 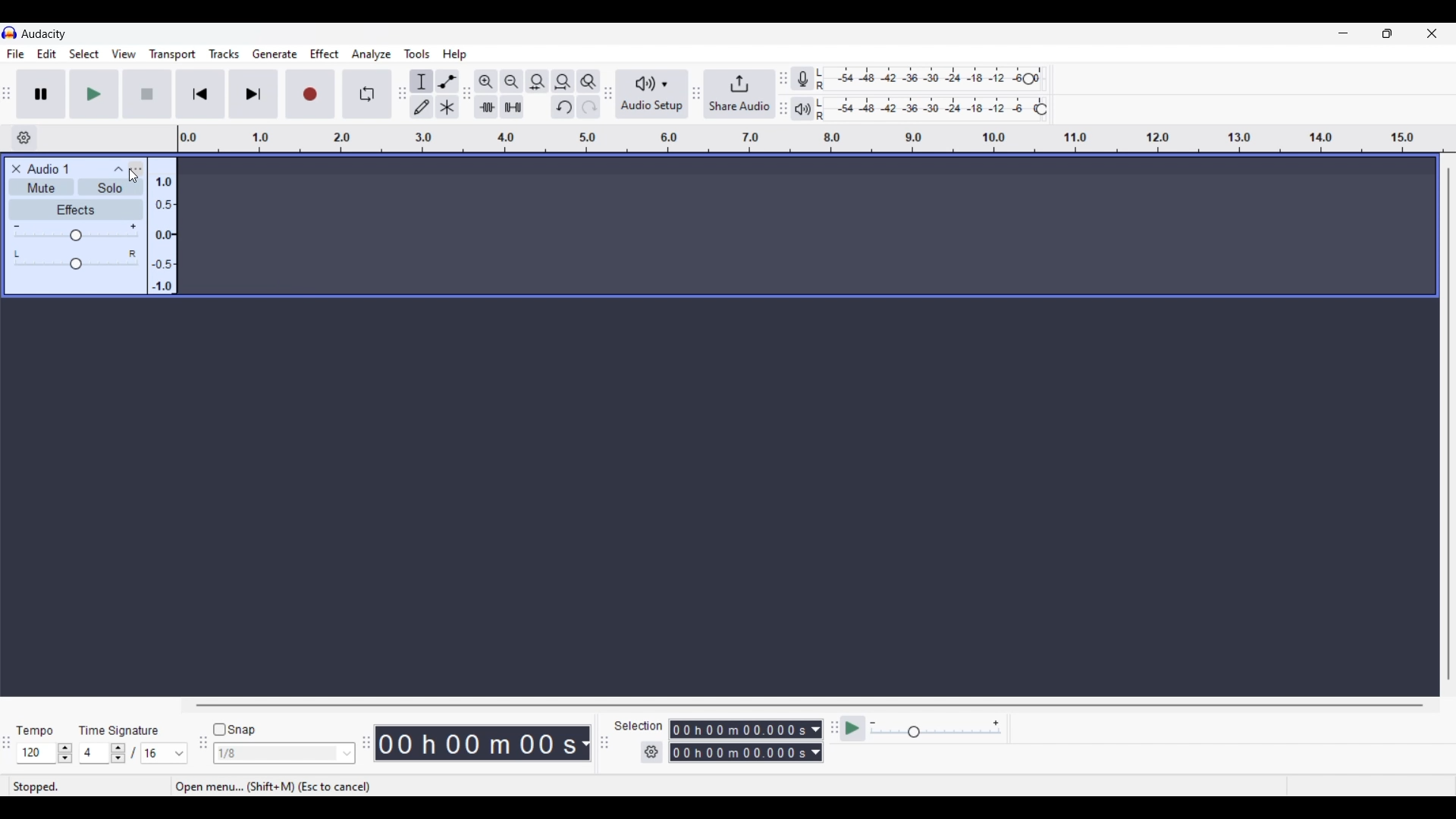 What do you see at coordinates (281, 787) in the screenshot?
I see `Open menu... (Shift+M) (Esc to cancel)` at bounding box center [281, 787].